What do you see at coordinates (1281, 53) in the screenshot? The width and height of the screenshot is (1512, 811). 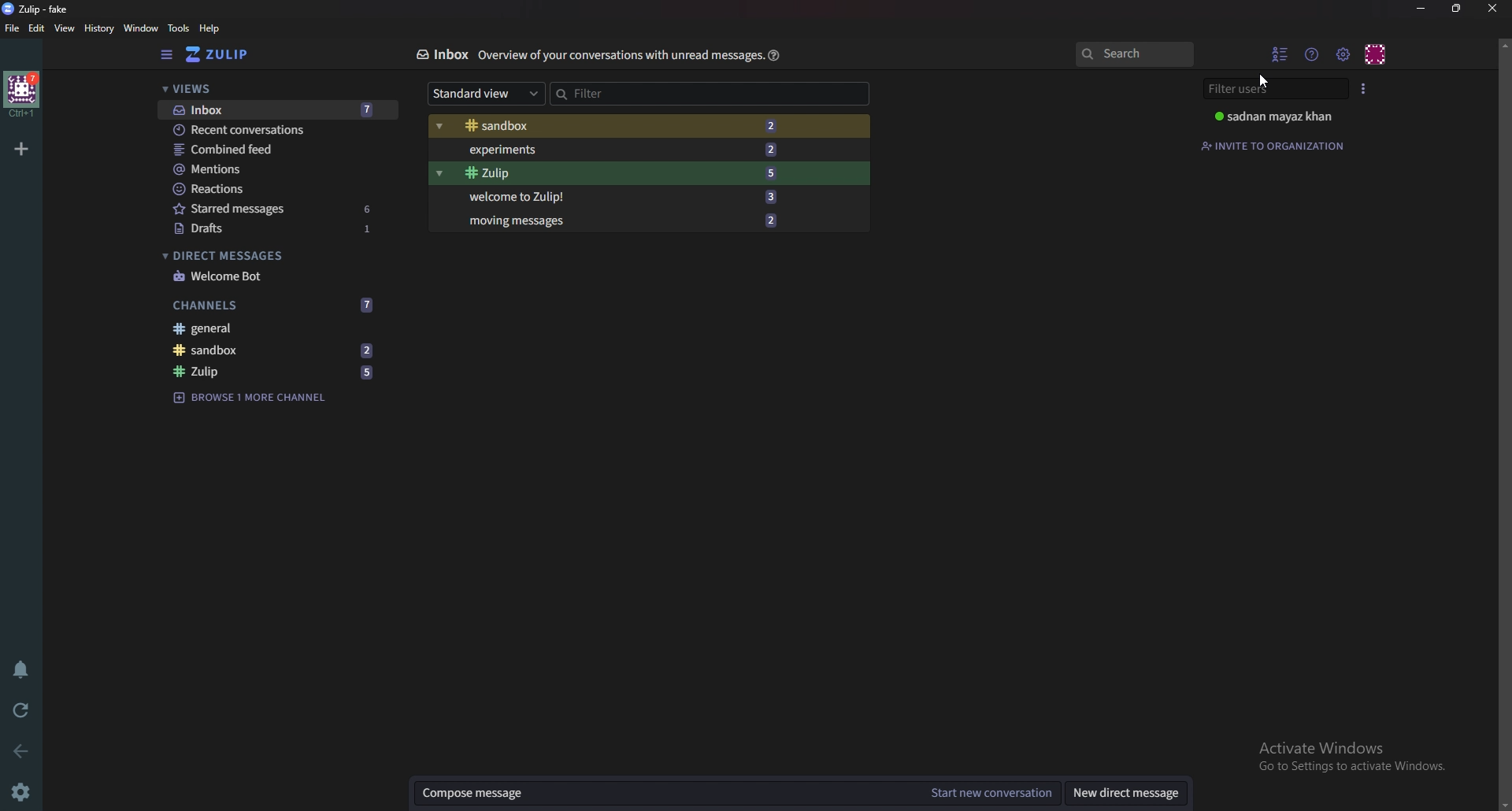 I see `Hide user list` at bounding box center [1281, 53].